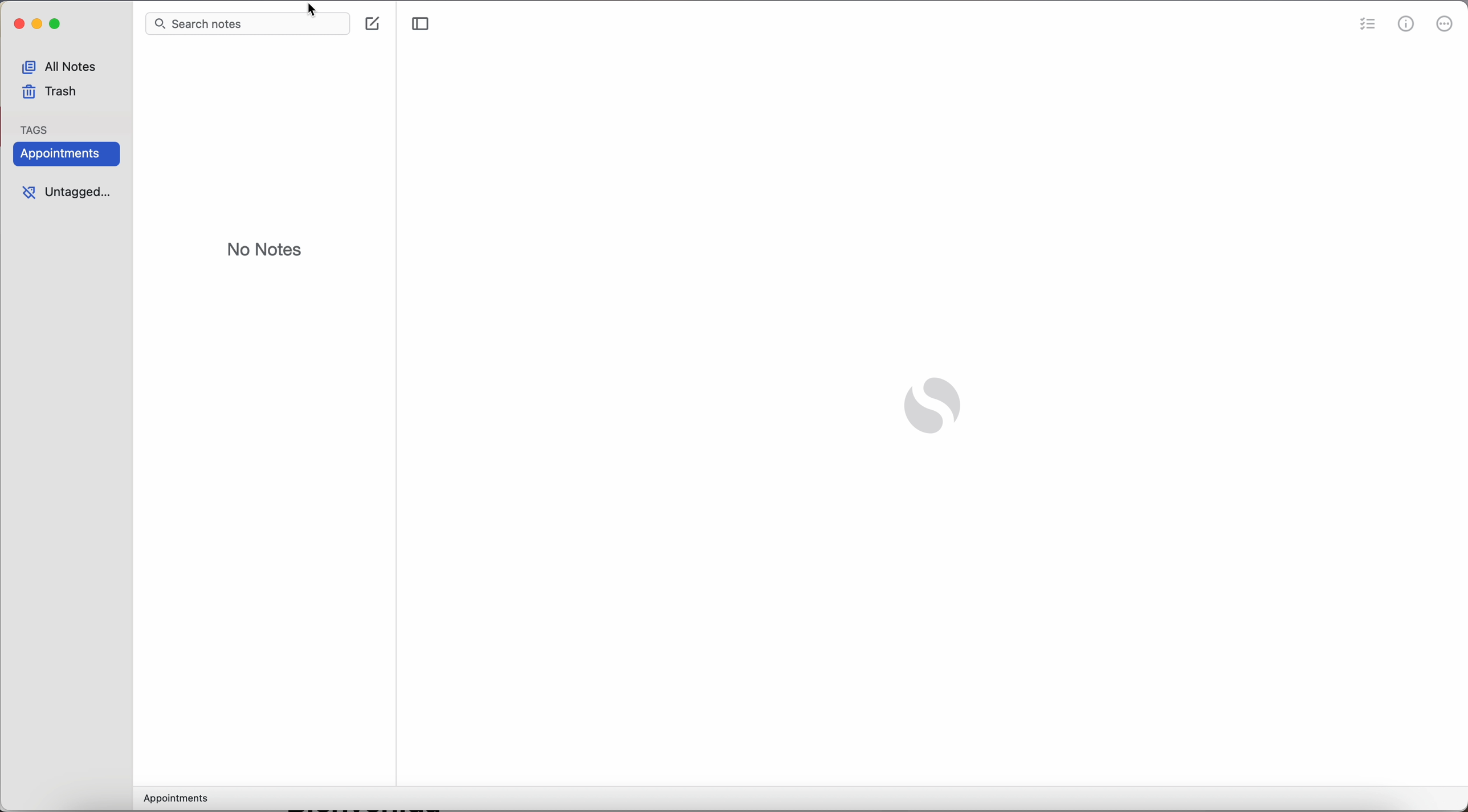 Image resolution: width=1468 pixels, height=812 pixels. I want to click on new tag: appointments, so click(177, 800).